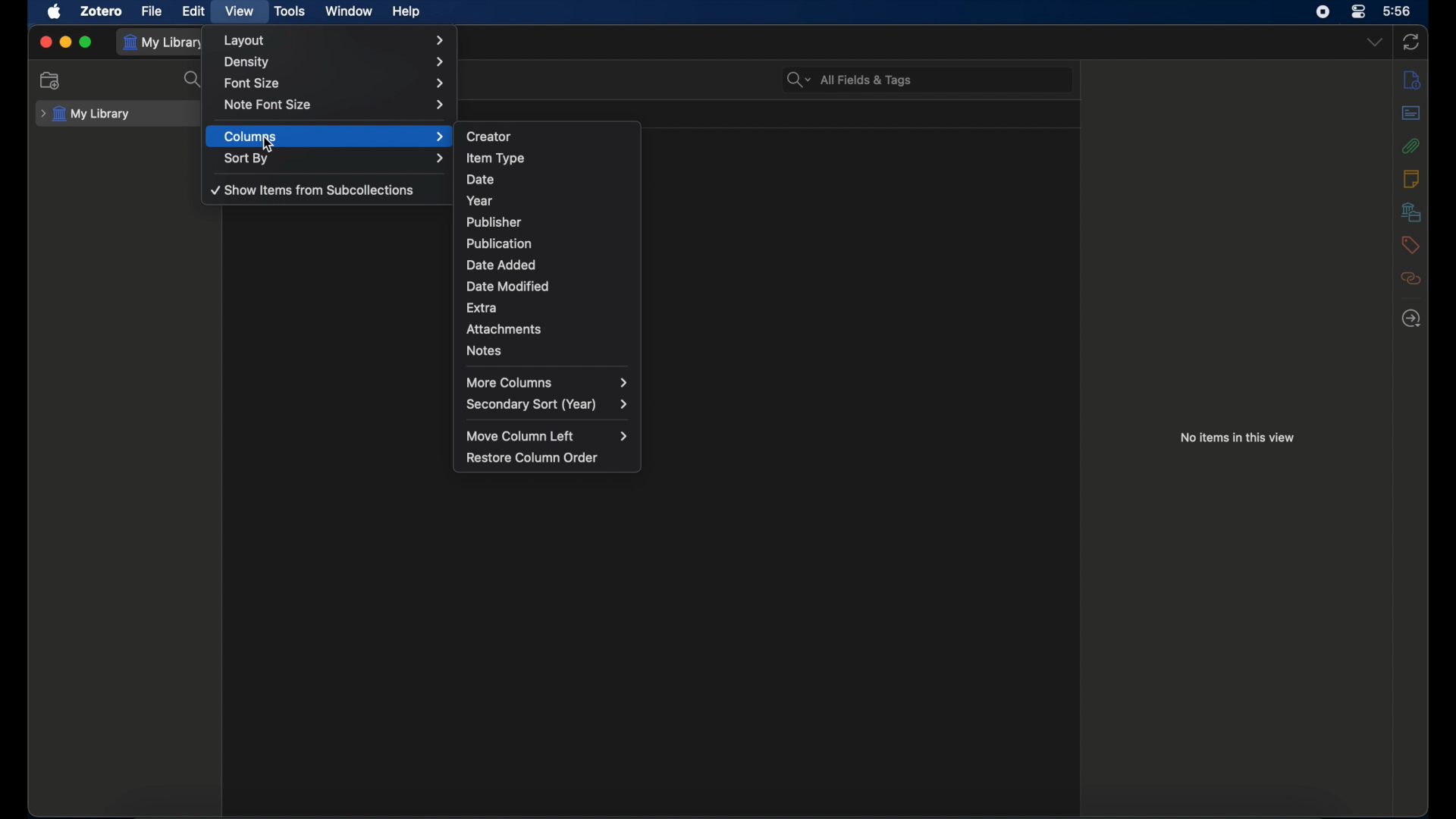  I want to click on dropdown, so click(1375, 42).